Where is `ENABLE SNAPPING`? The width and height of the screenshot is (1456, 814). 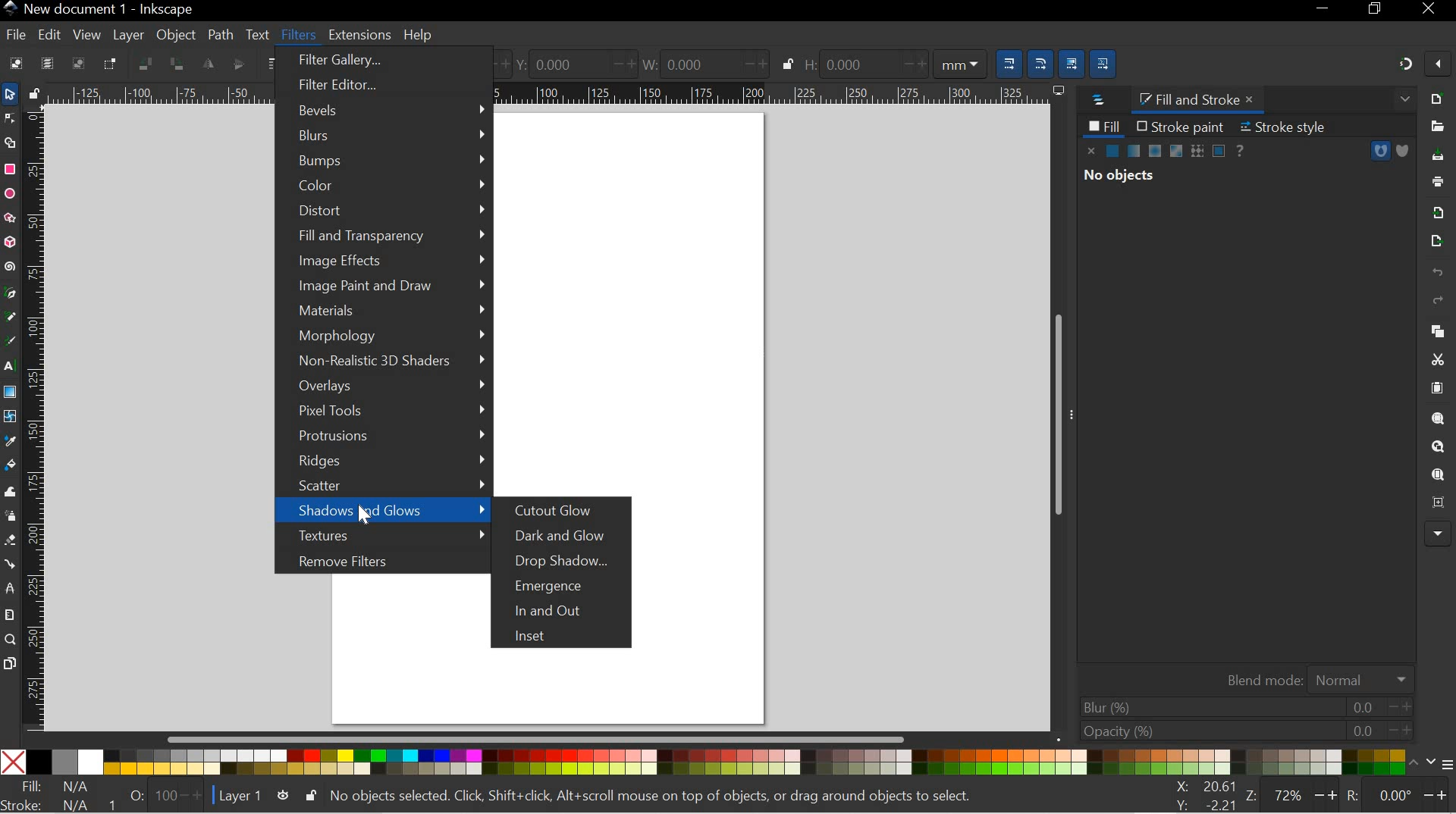
ENABLE SNAPPING is located at coordinates (1438, 66).